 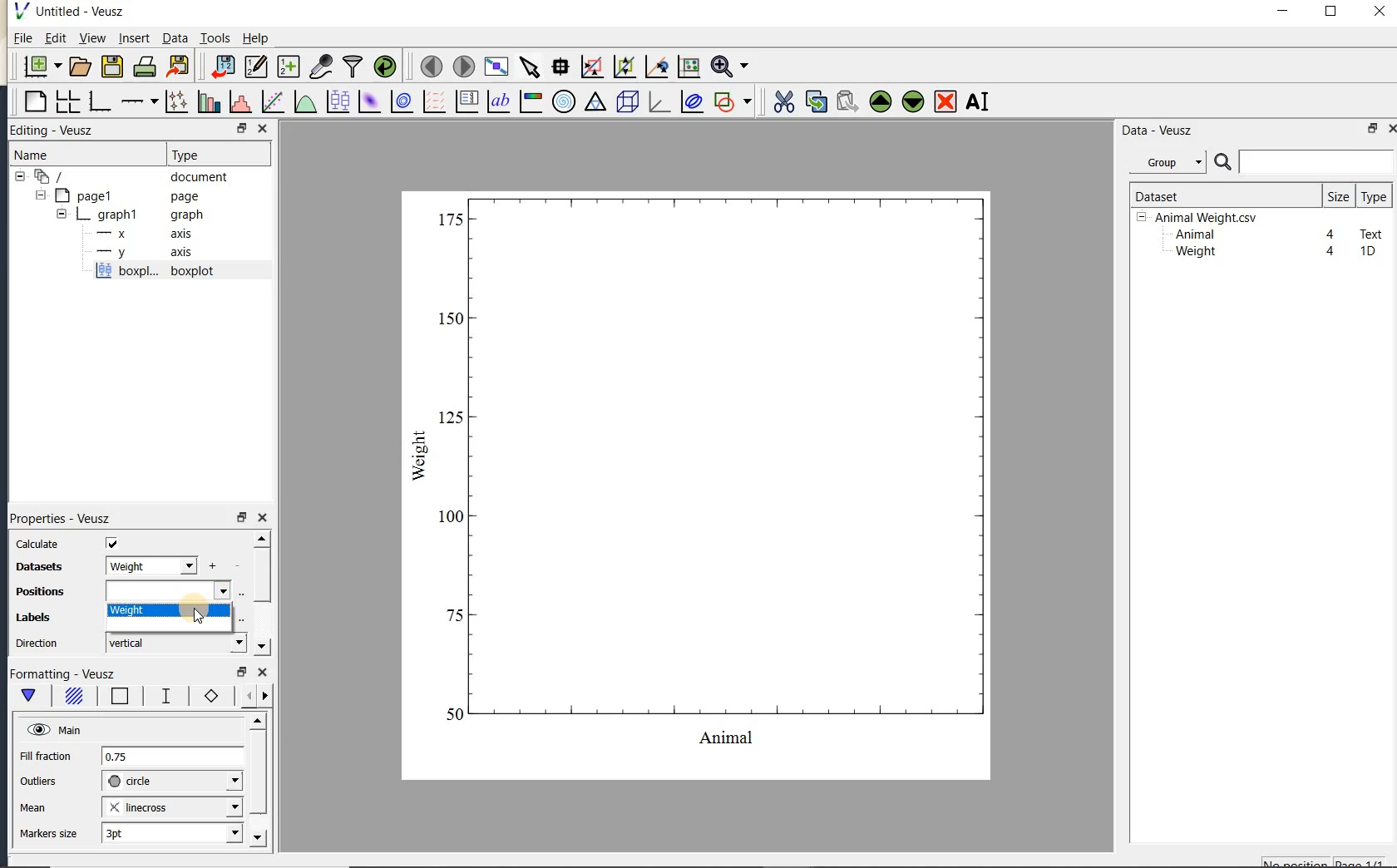 I want to click on Untitled-Veusz, so click(x=74, y=12).